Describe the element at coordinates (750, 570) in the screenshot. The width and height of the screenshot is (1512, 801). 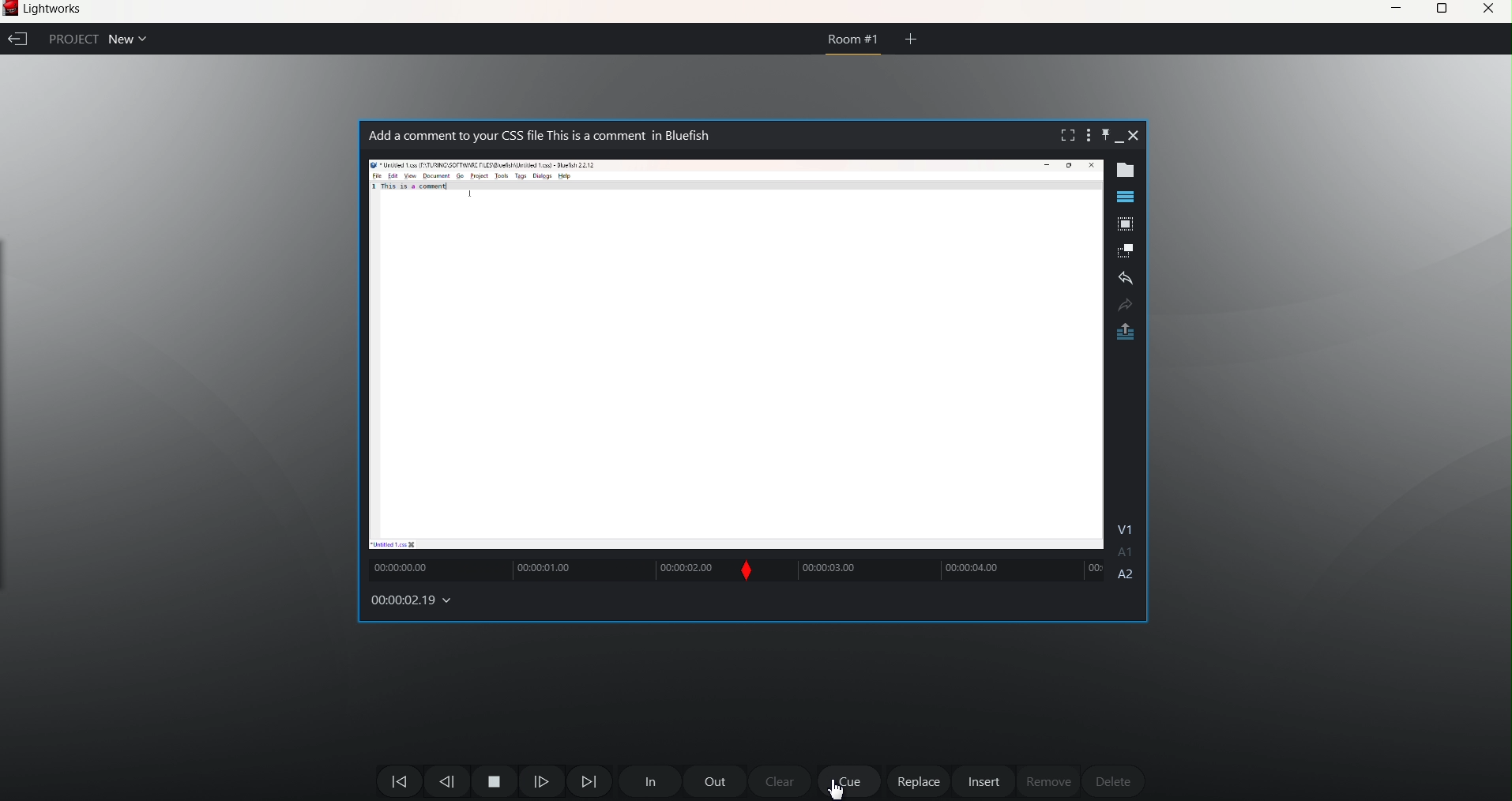
I see `Slip moved forward` at that location.